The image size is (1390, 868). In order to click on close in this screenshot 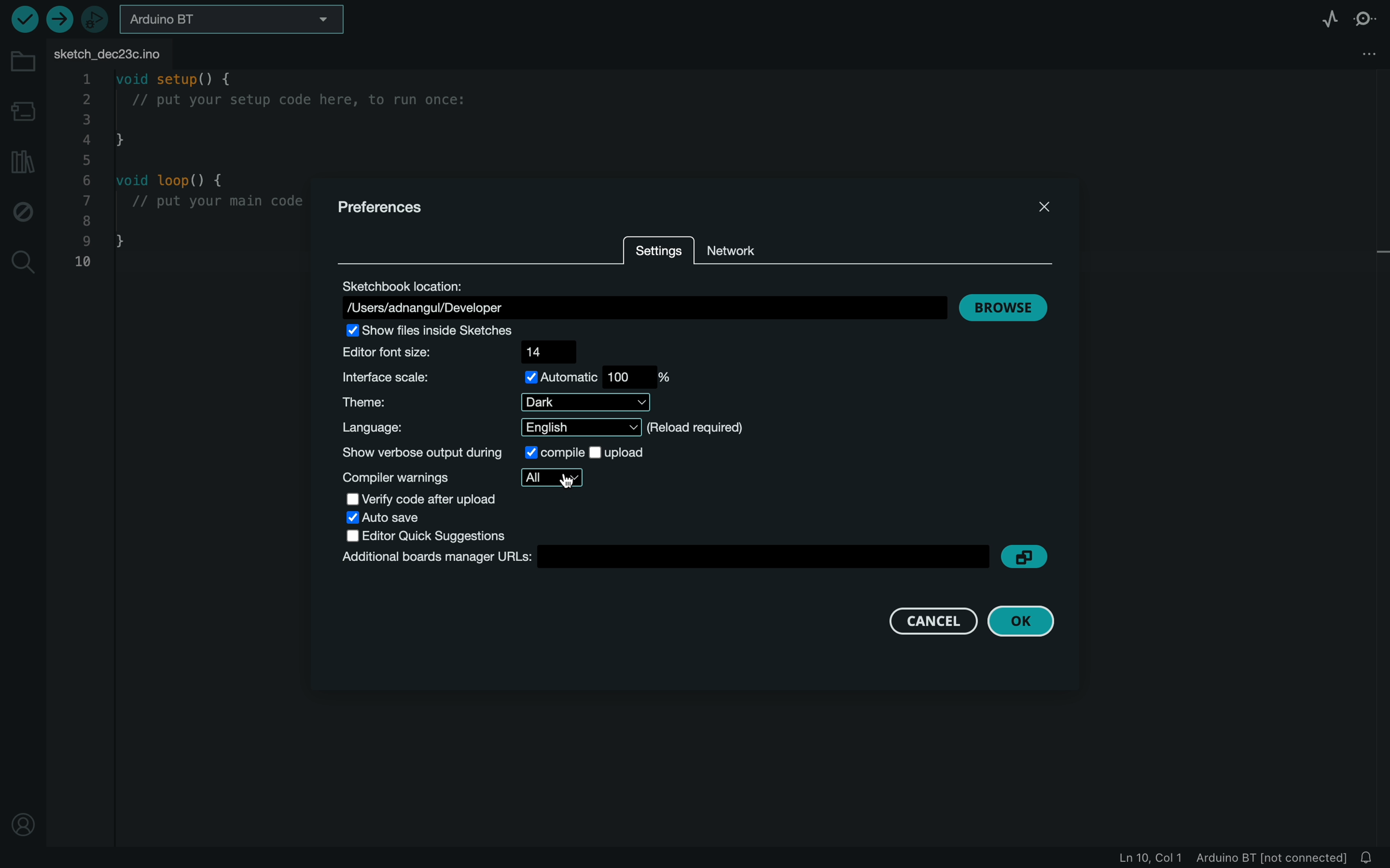, I will do `click(1049, 211)`.